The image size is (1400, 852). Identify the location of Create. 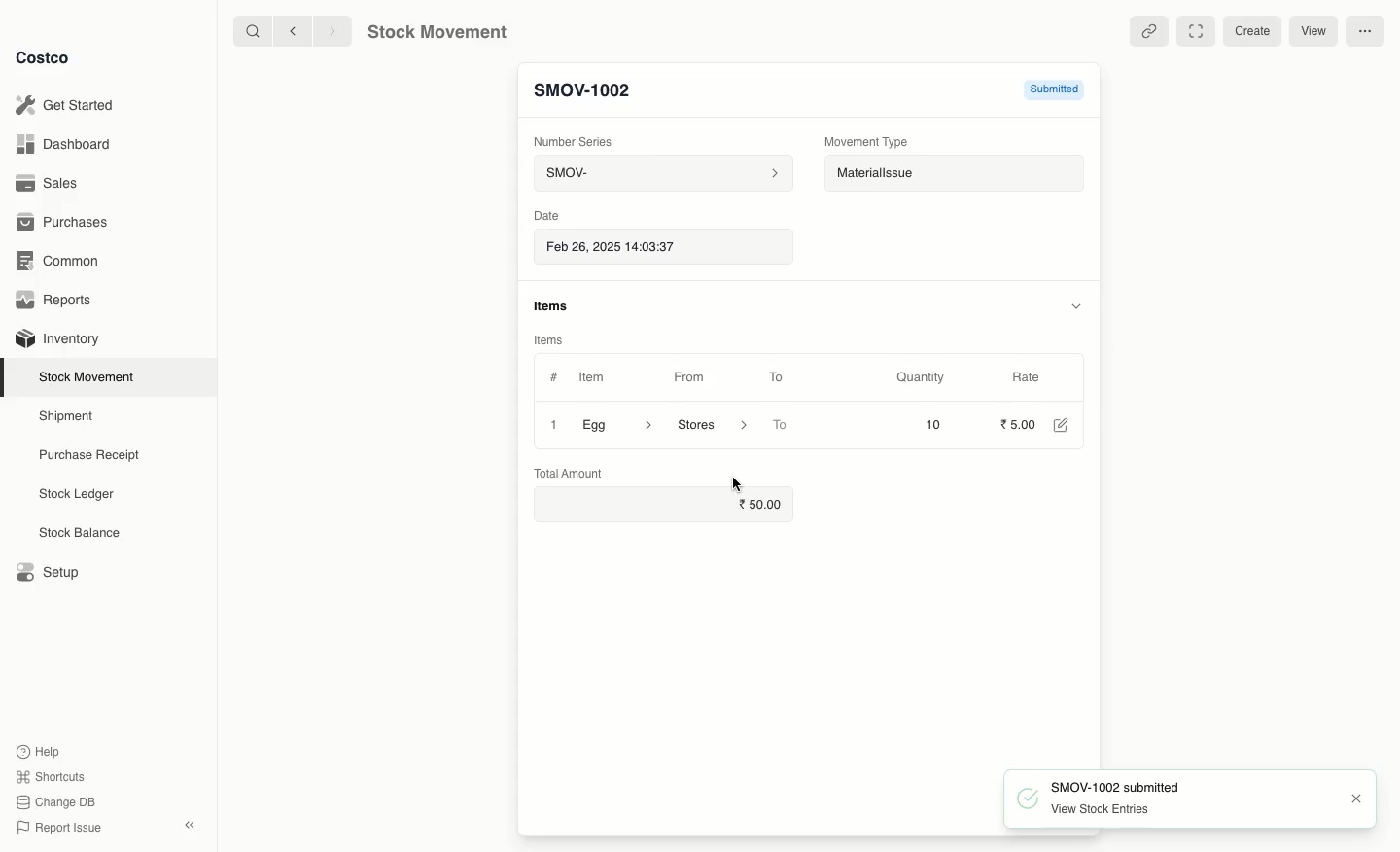
(1251, 32).